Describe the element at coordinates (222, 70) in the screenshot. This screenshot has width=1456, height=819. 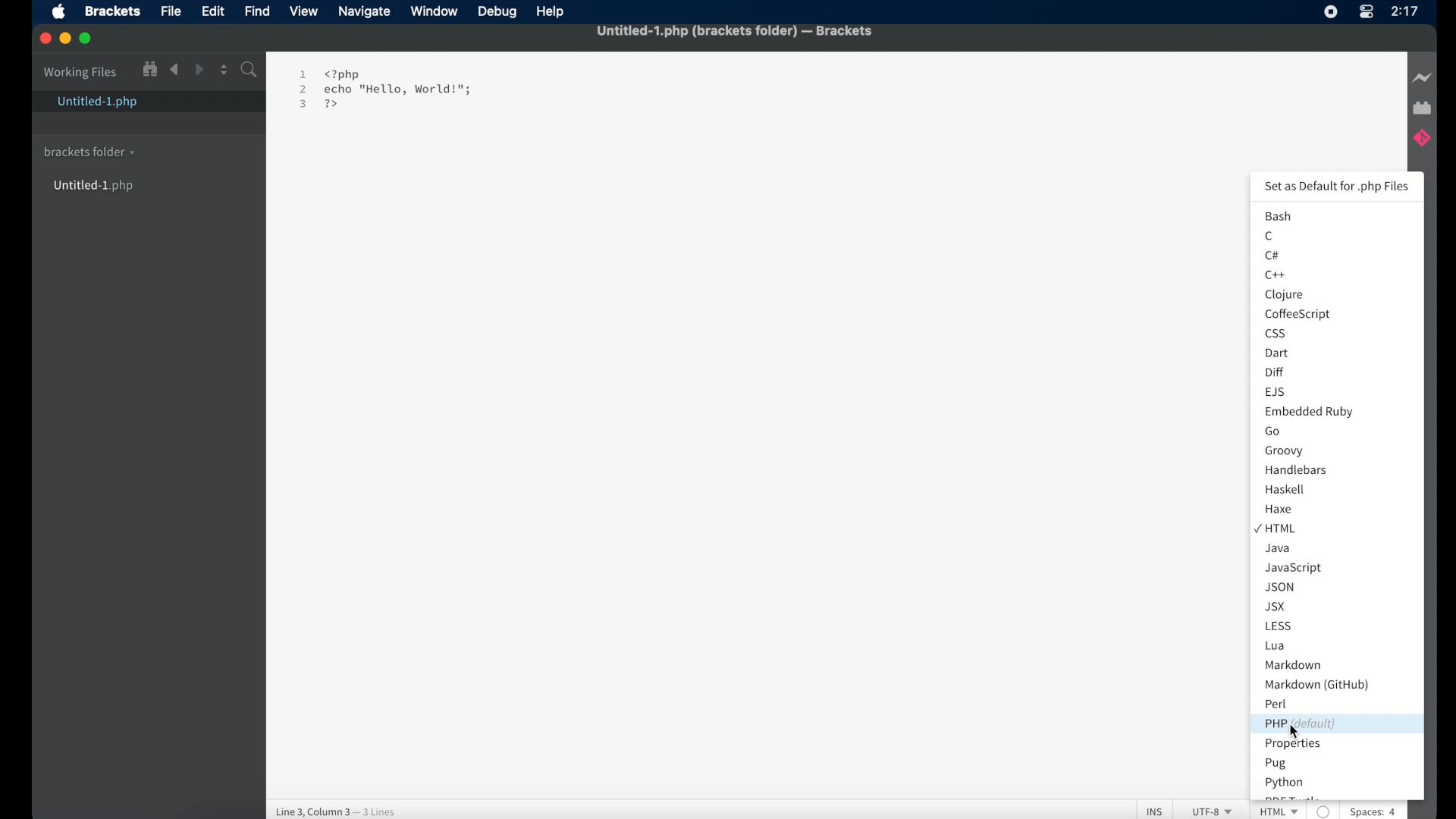
I see `split  editor vertical or horizontal` at that location.